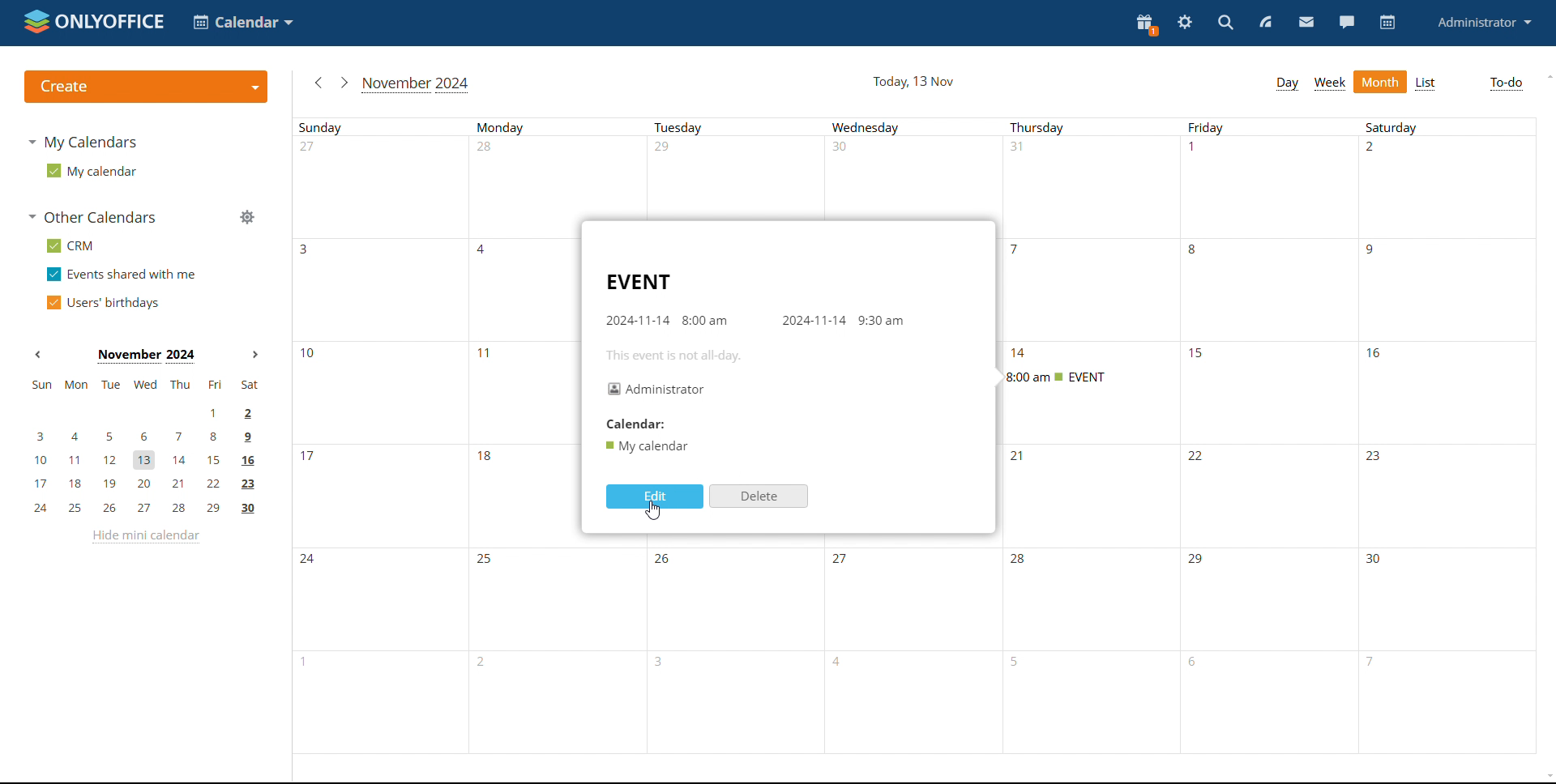 This screenshot has width=1556, height=784. Describe the element at coordinates (144, 411) in the screenshot. I see `1, 2` at that location.